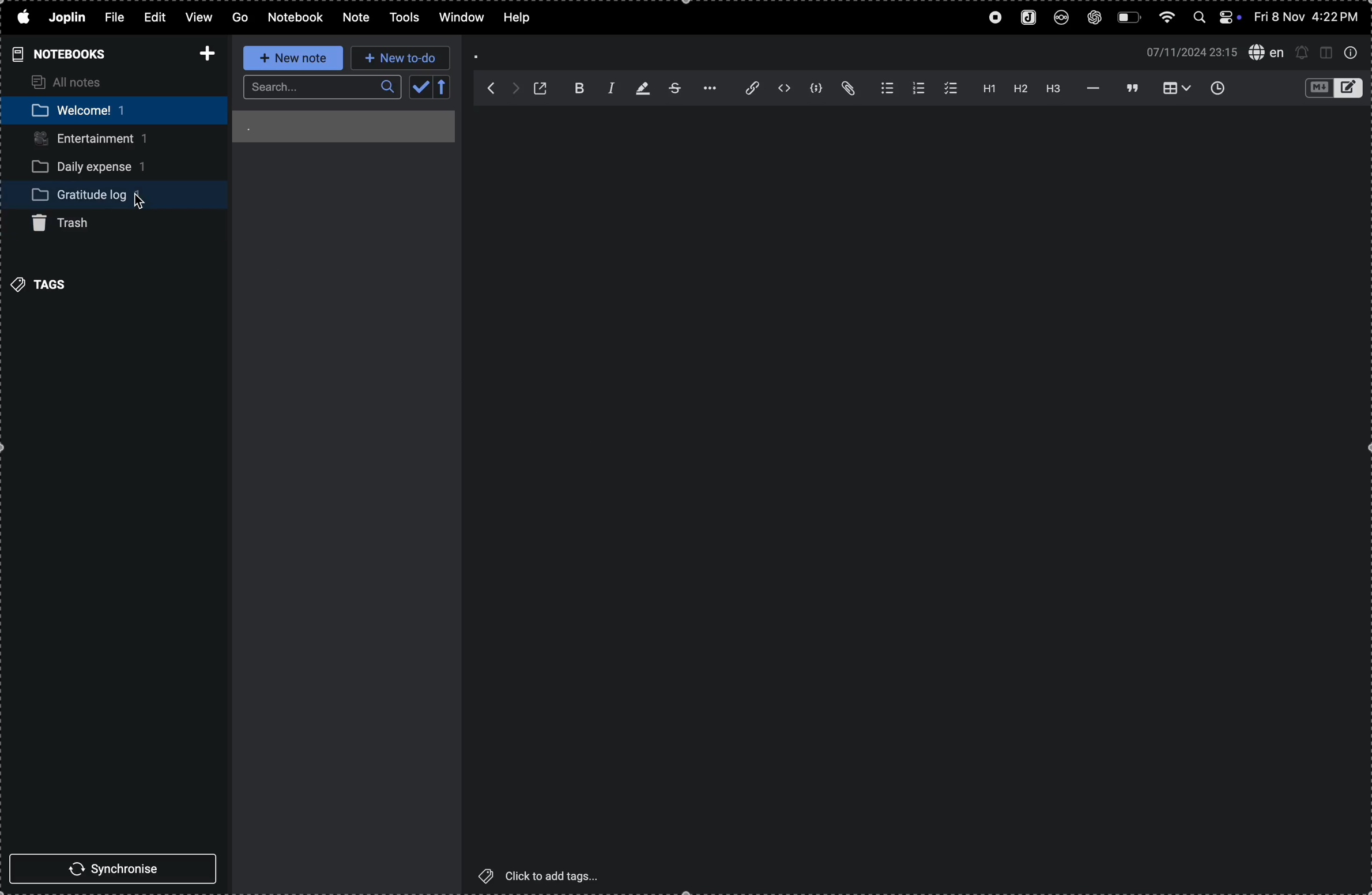 The width and height of the screenshot is (1372, 895). Describe the element at coordinates (1051, 90) in the screenshot. I see `heading 3` at that location.